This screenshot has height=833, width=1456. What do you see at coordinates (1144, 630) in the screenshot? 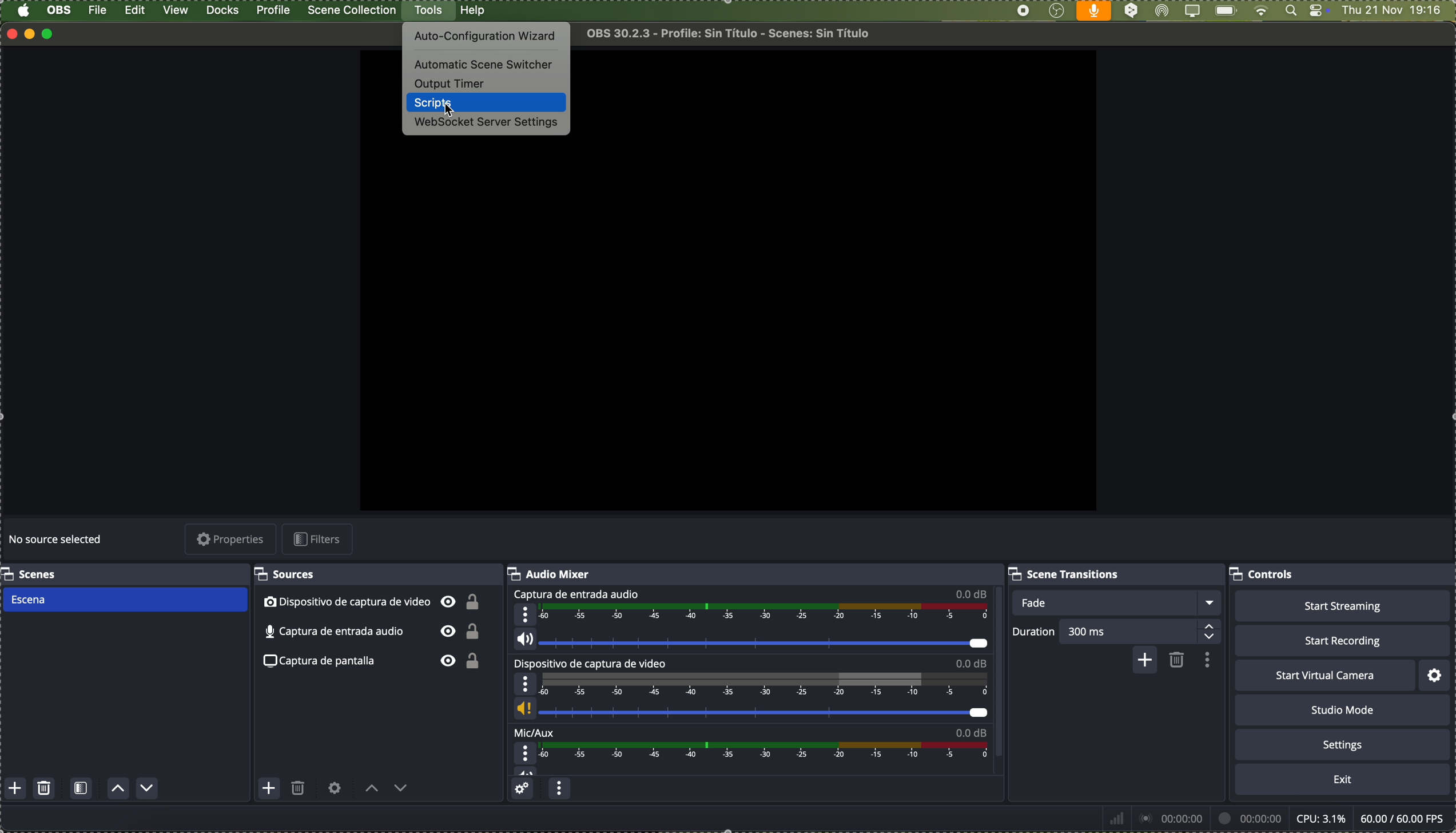
I see `300 ms` at bounding box center [1144, 630].